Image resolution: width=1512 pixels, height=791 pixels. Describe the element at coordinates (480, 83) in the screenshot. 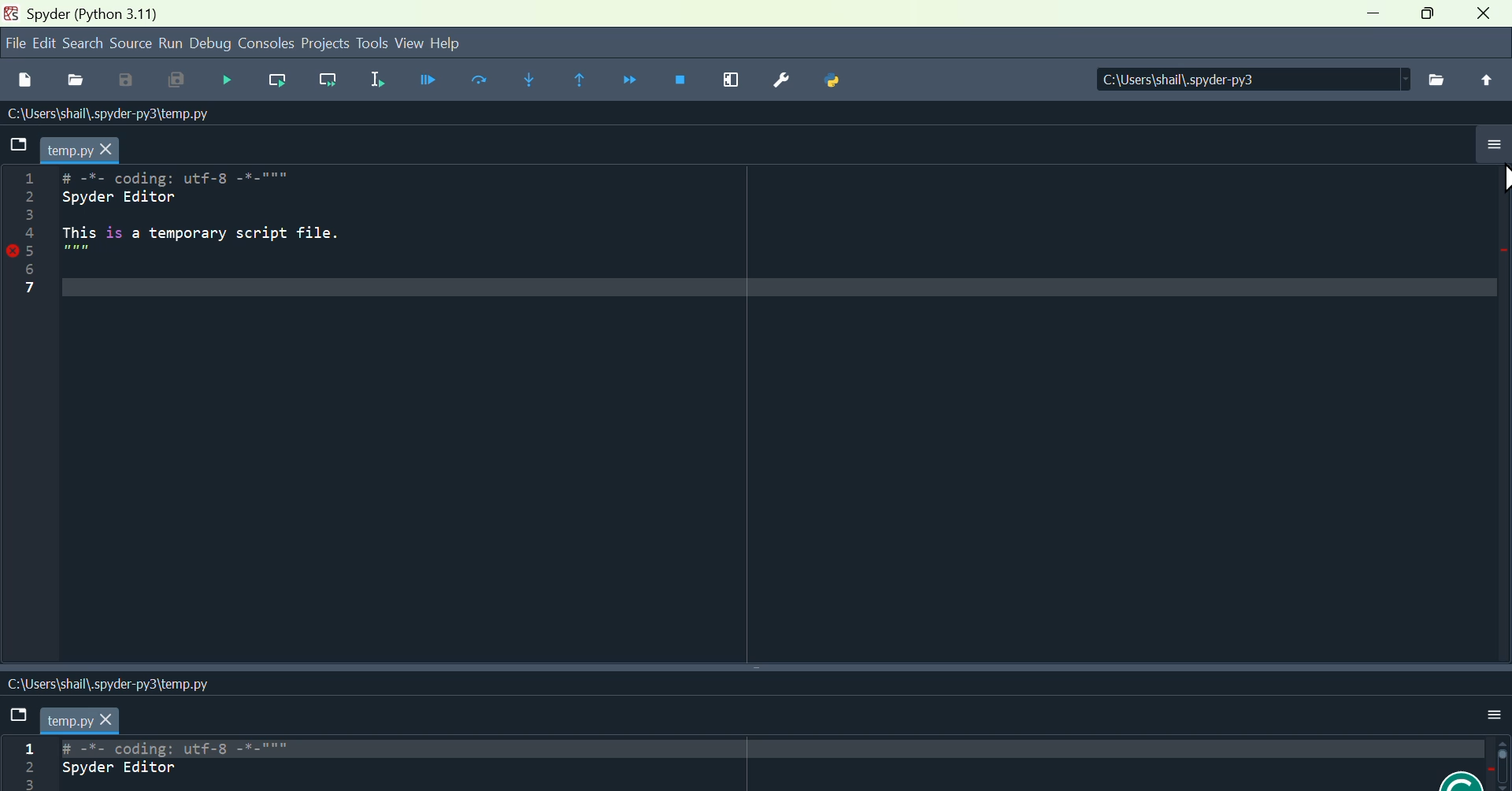

I see `Run current cell` at that location.